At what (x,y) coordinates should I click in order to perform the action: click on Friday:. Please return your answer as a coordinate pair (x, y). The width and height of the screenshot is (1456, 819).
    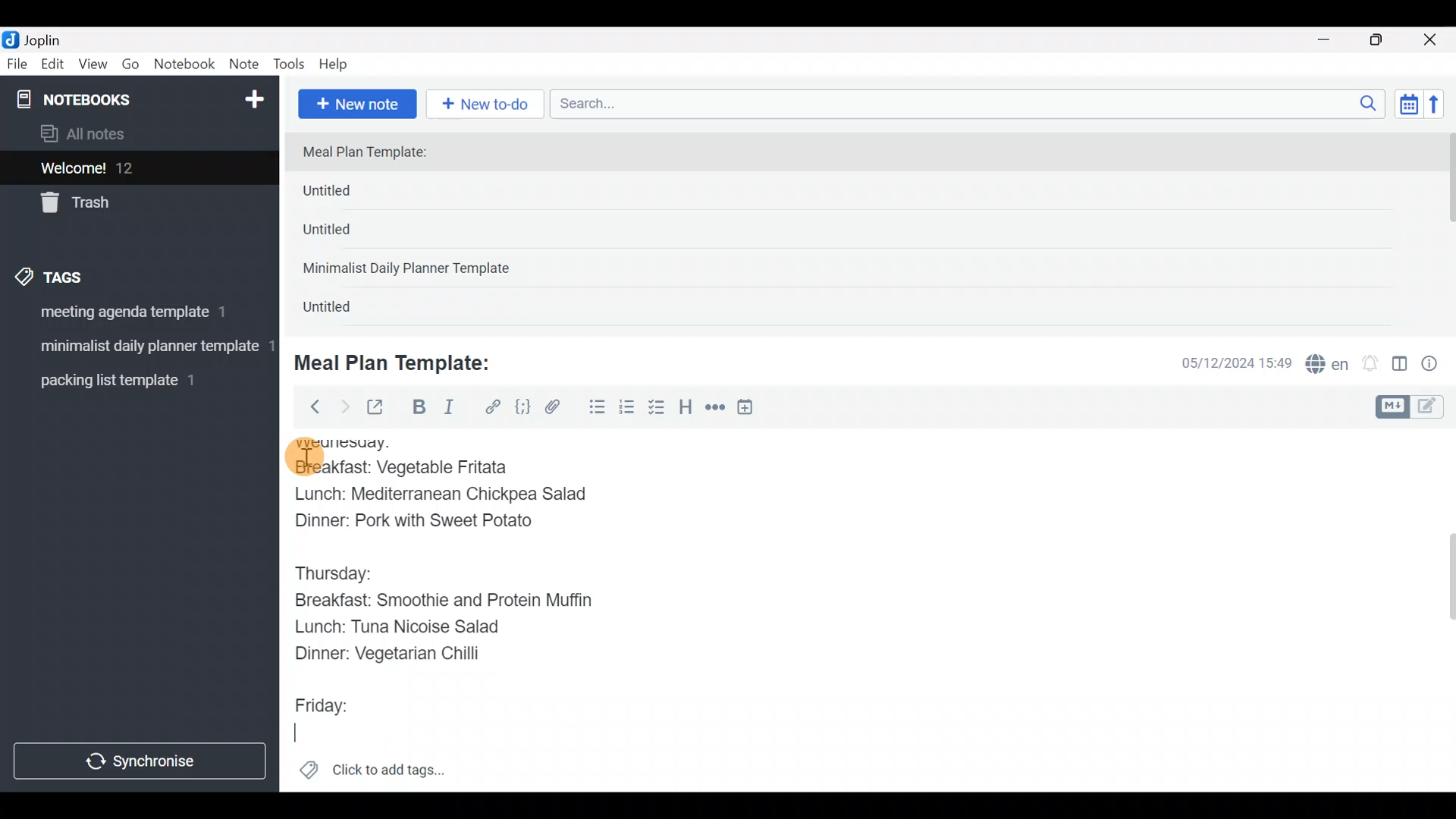
    Looking at the image, I should click on (325, 700).